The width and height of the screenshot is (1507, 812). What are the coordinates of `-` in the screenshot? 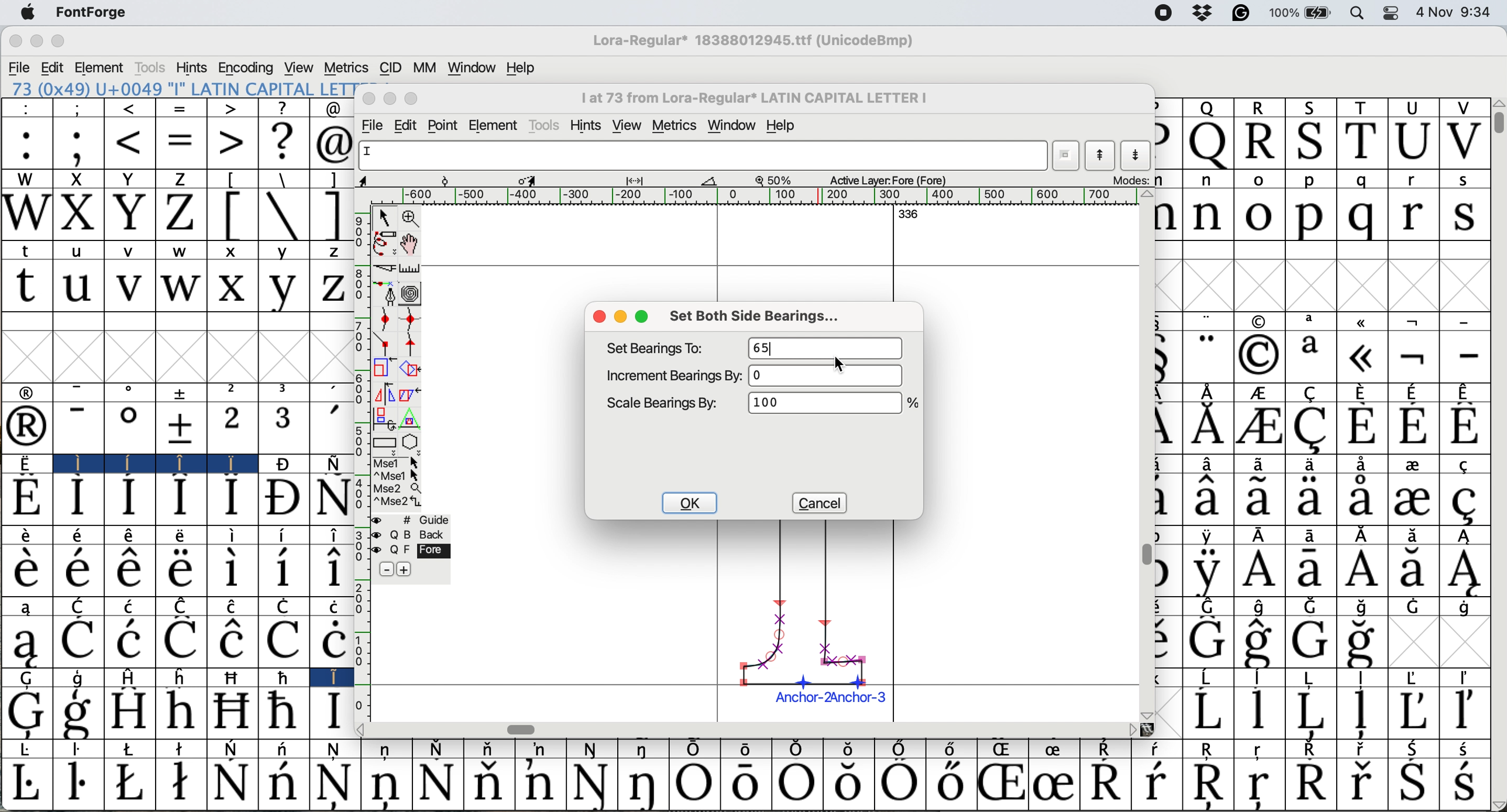 It's located at (1467, 318).